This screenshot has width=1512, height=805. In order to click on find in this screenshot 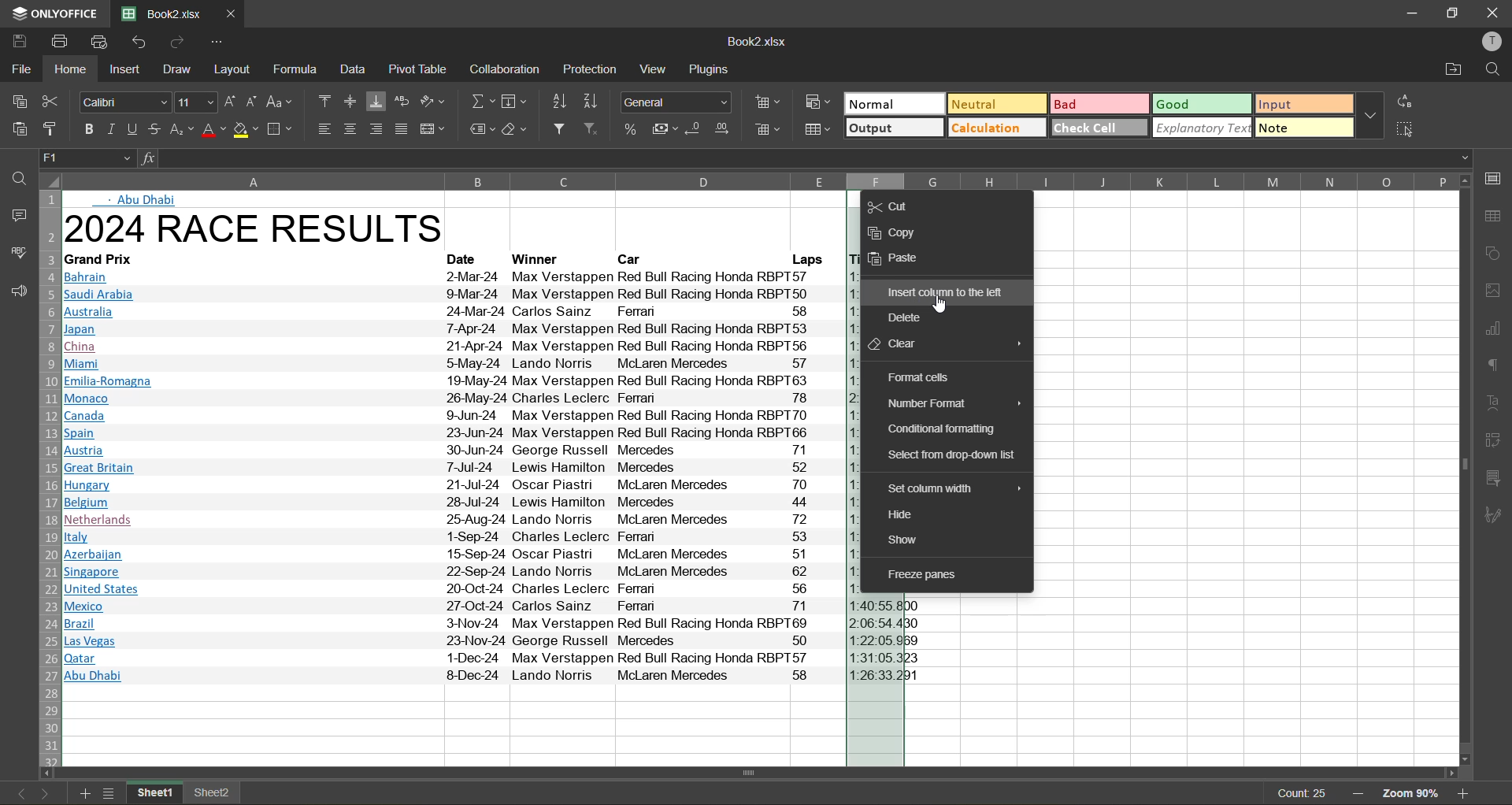, I will do `click(1492, 68)`.